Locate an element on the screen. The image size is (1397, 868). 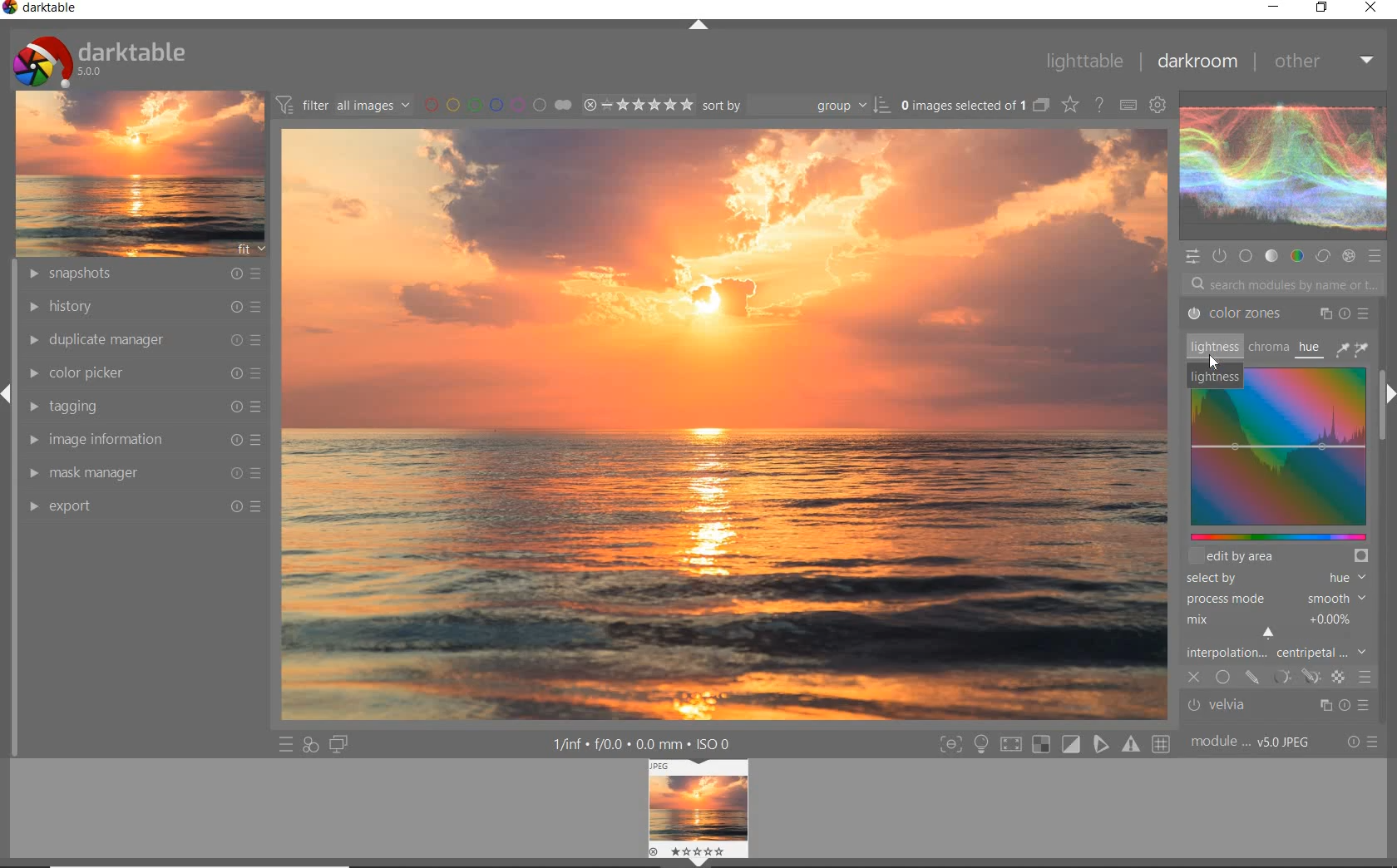
EXPAND/COLLAPSE is located at coordinates (698, 26).